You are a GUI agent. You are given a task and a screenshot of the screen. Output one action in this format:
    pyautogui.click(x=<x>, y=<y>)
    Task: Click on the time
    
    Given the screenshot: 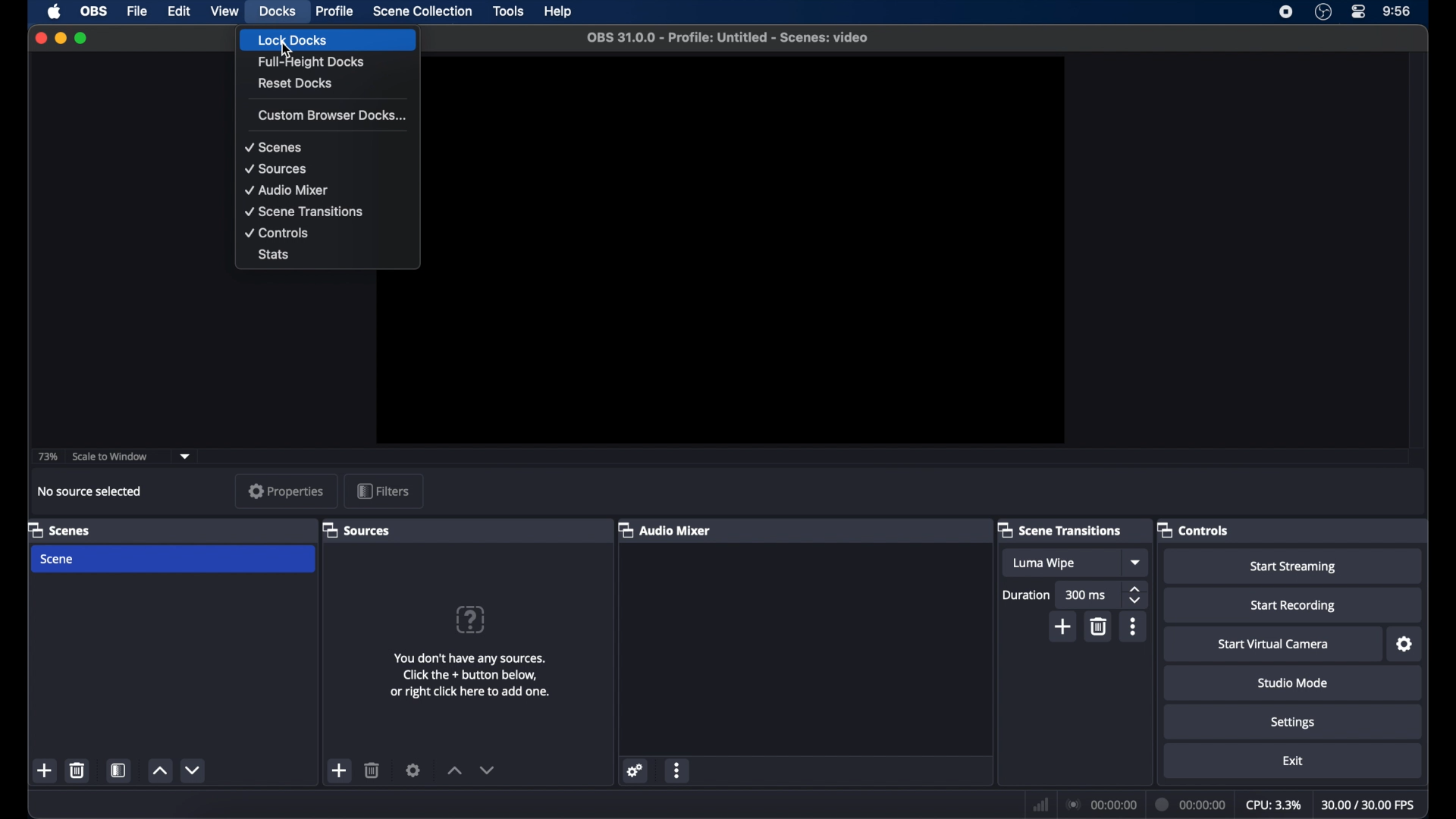 What is the action you would take?
    pyautogui.click(x=1397, y=11)
    